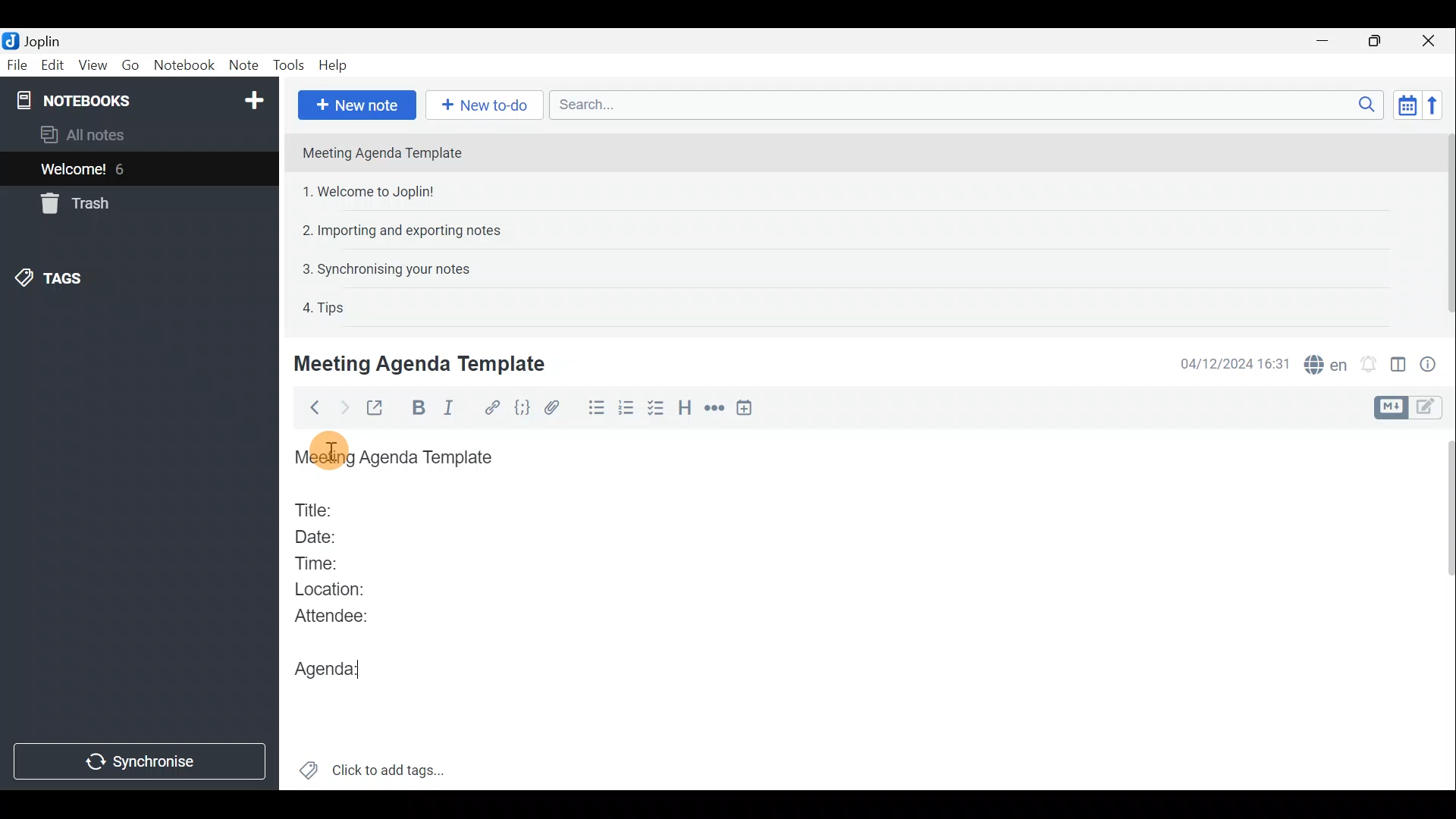 Image resolution: width=1456 pixels, height=819 pixels. What do you see at coordinates (184, 64) in the screenshot?
I see `Notebook` at bounding box center [184, 64].